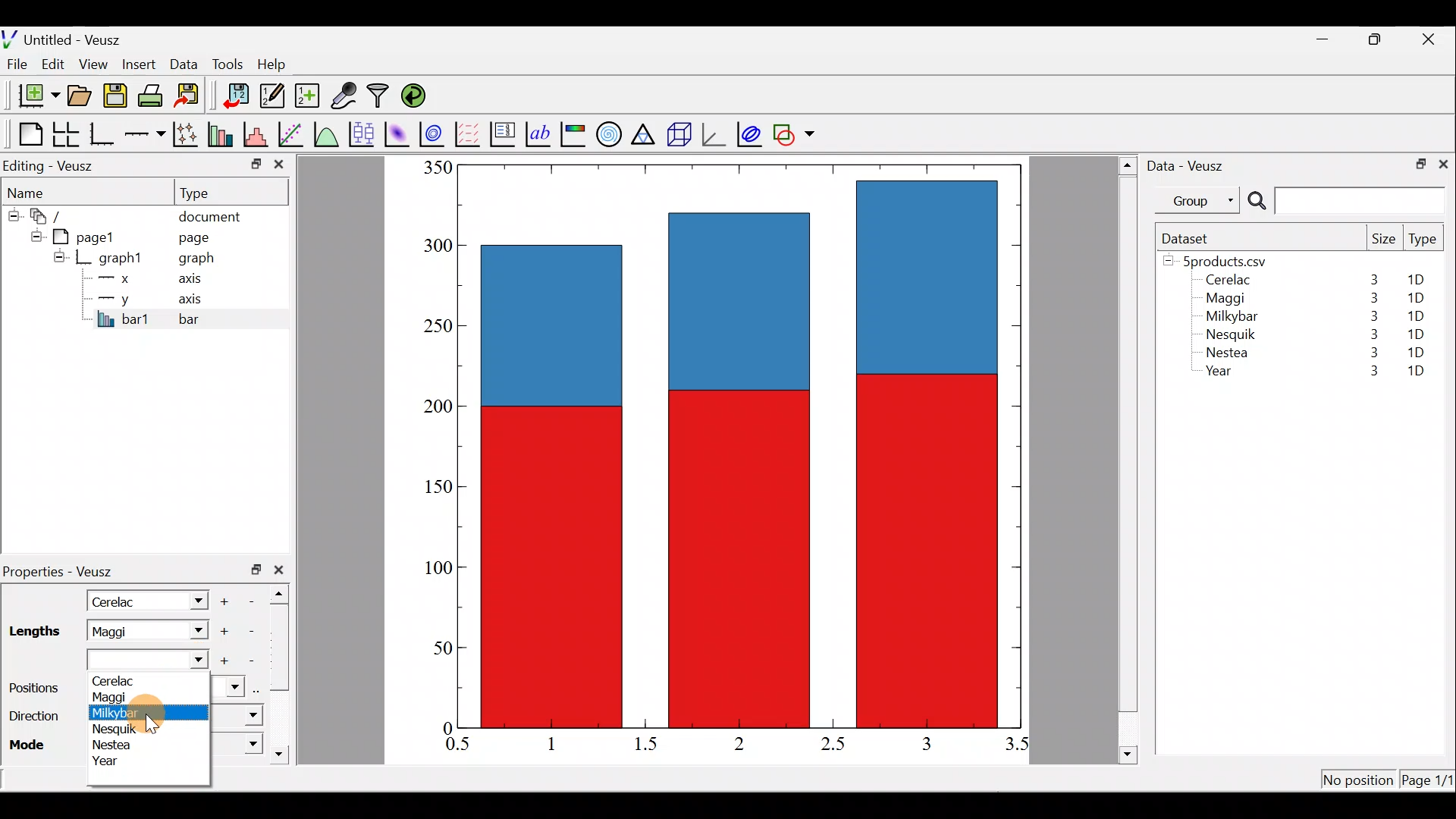  Describe the element at coordinates (260, 689) in the screenshot. I see `select using dataset browser` at that location.